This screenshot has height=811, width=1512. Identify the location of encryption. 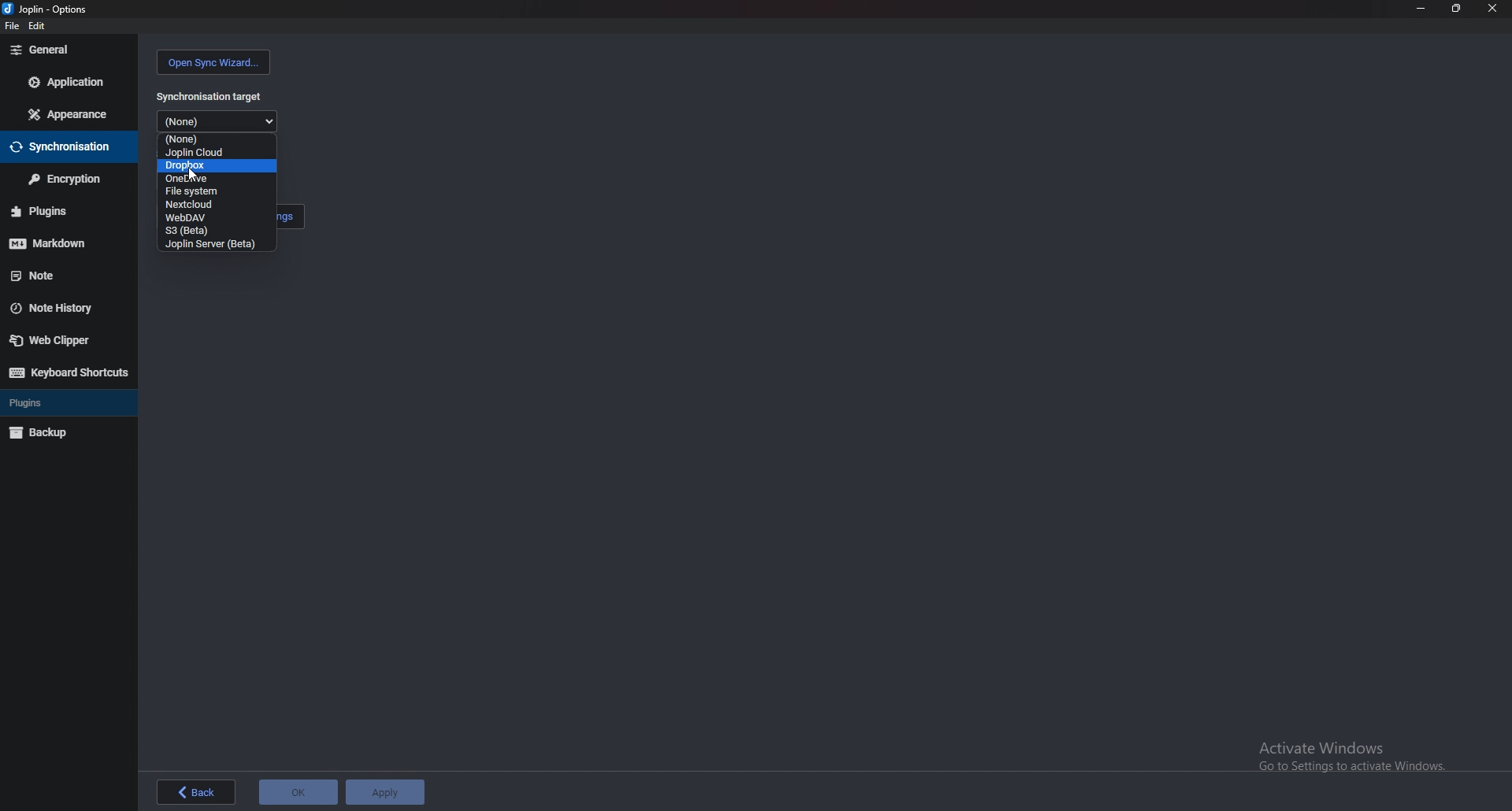
(69, 179).